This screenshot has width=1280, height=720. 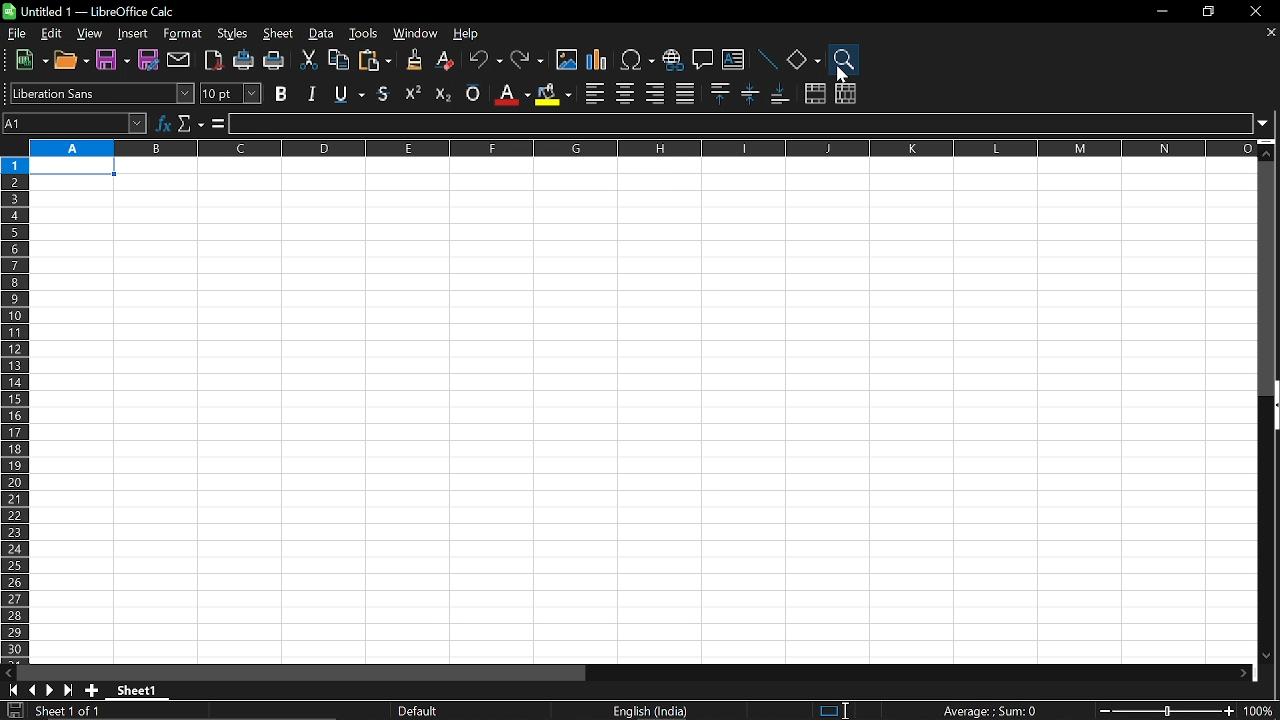 I want to click on move right, so click(x=1248, y=673).